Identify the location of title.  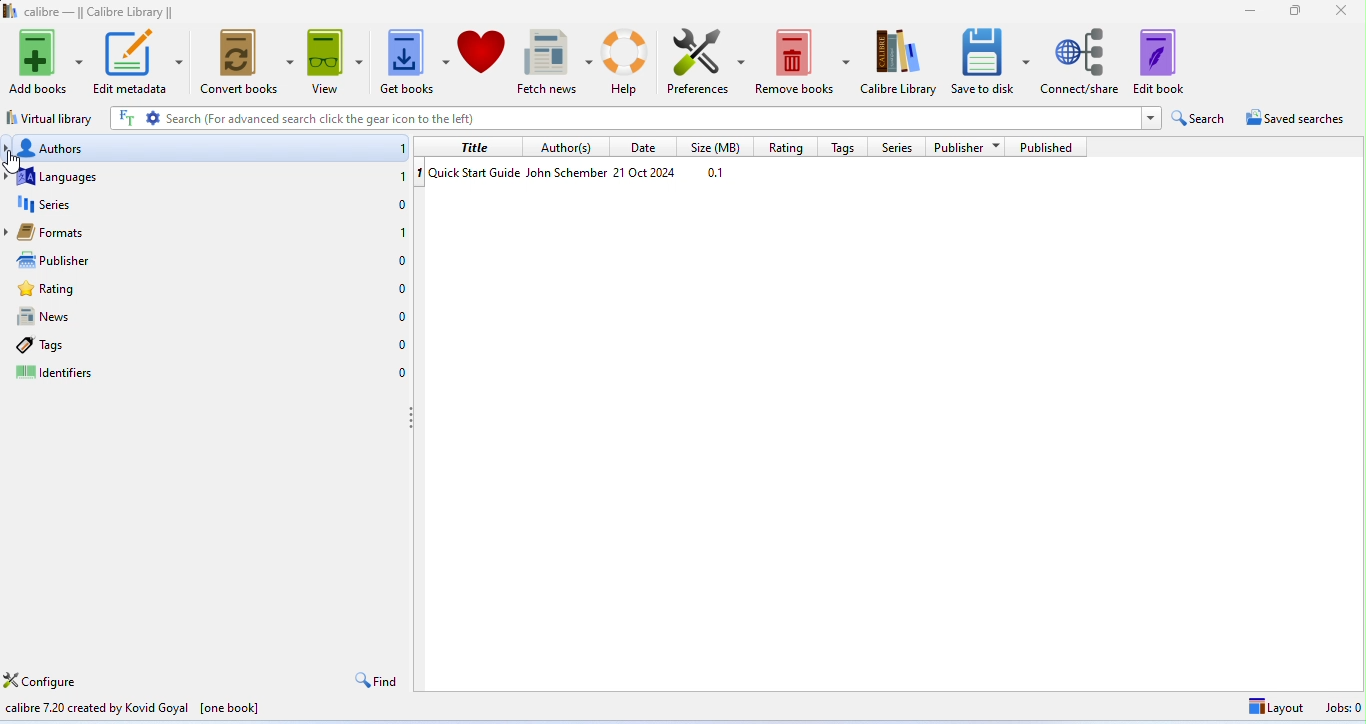
(476, 148).